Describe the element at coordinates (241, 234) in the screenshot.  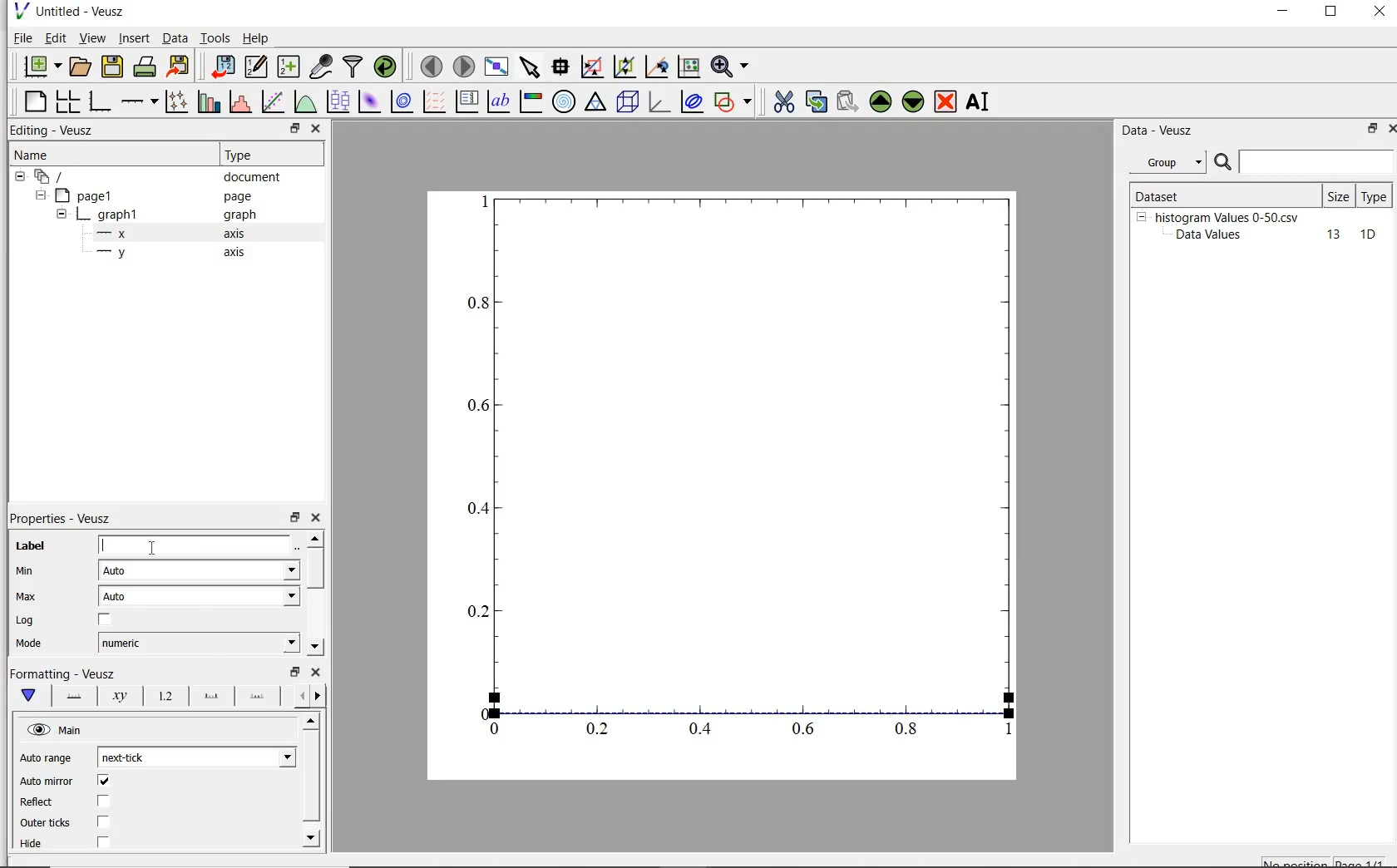
I see `axis` at that location.